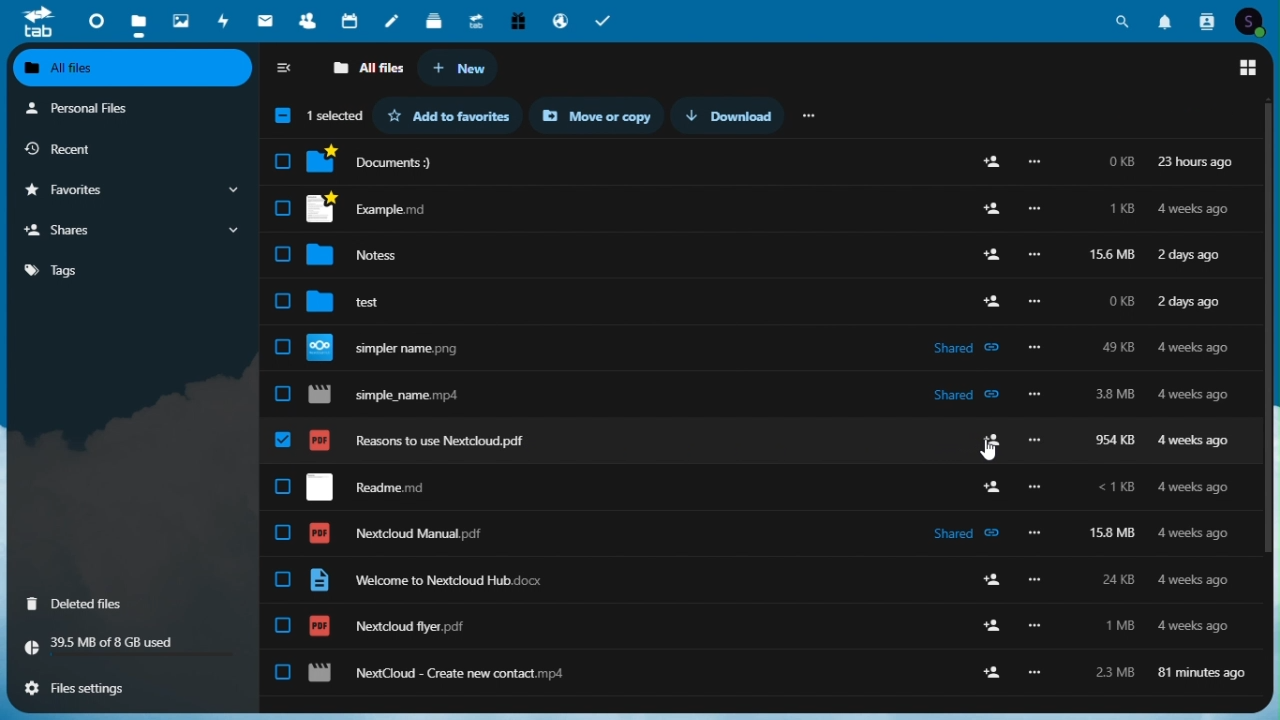 The image size is (1280, 720). What do you see at coordinates (1034, 255) in the screenshot?
I see `` at bounding box center [1034, 255].